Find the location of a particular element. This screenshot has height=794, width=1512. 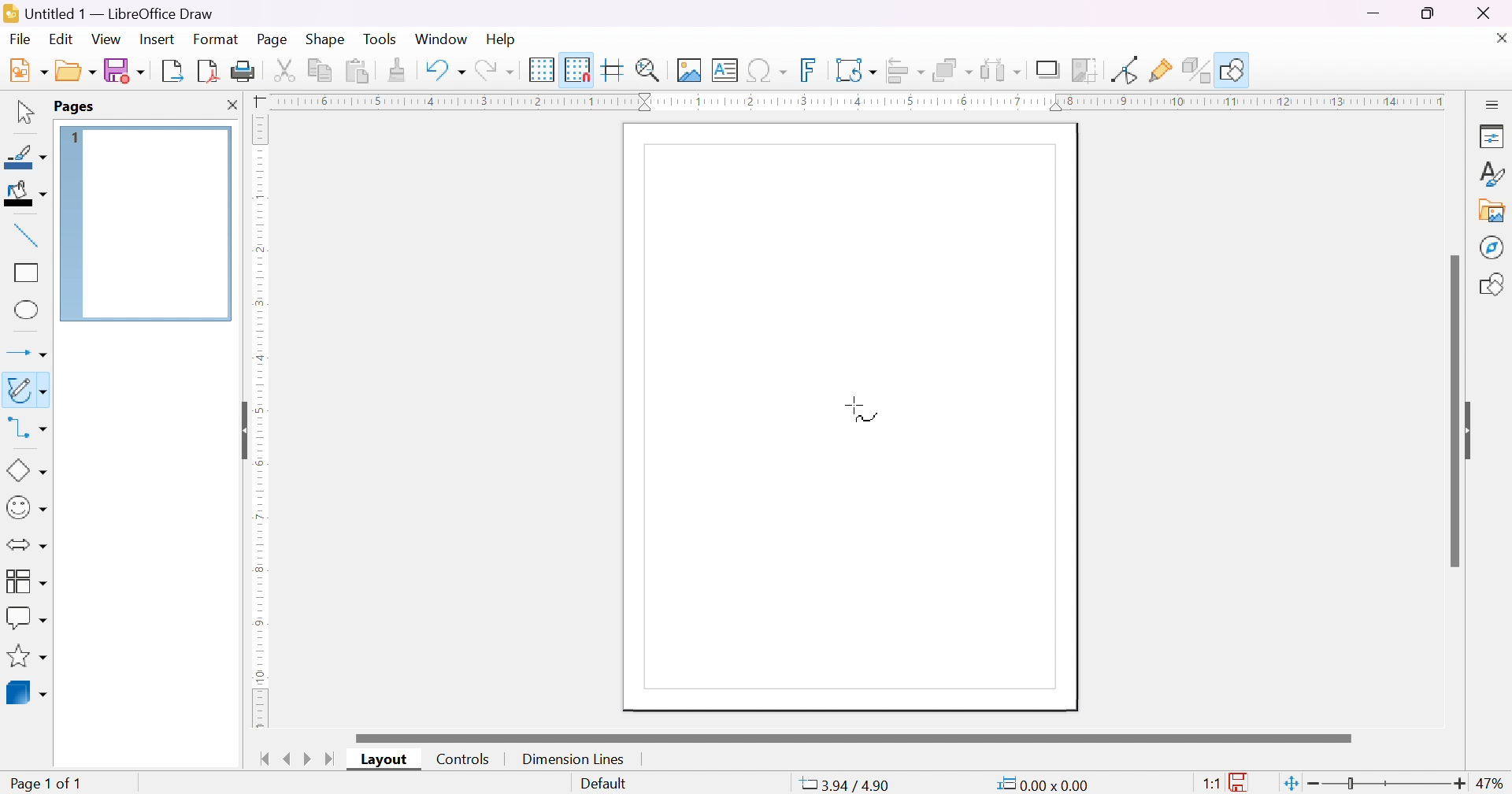

insert image is located at coordinates (689, 70).